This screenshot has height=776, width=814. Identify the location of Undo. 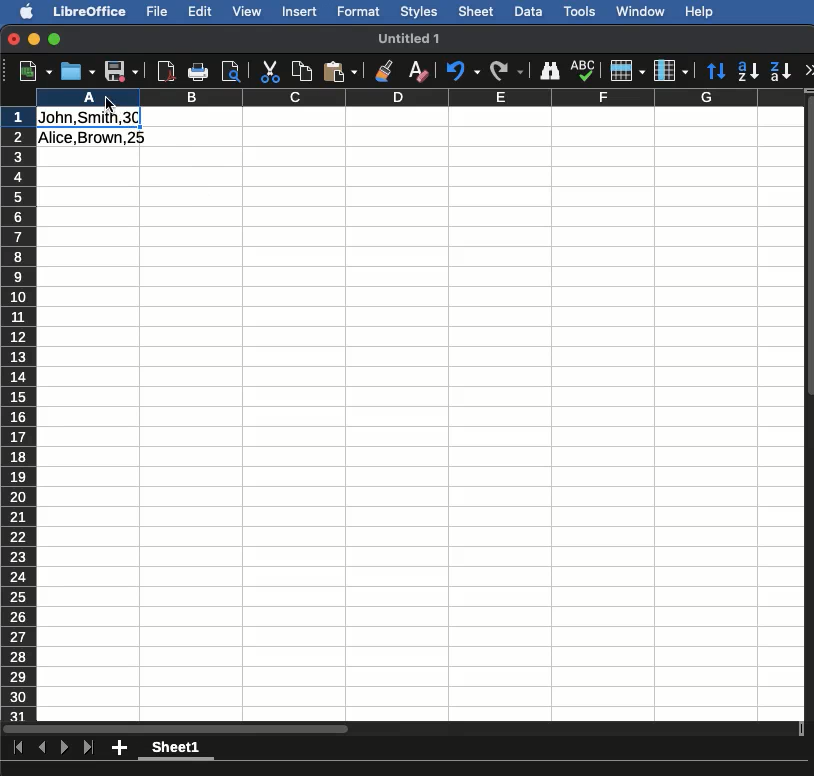
(465, 70).